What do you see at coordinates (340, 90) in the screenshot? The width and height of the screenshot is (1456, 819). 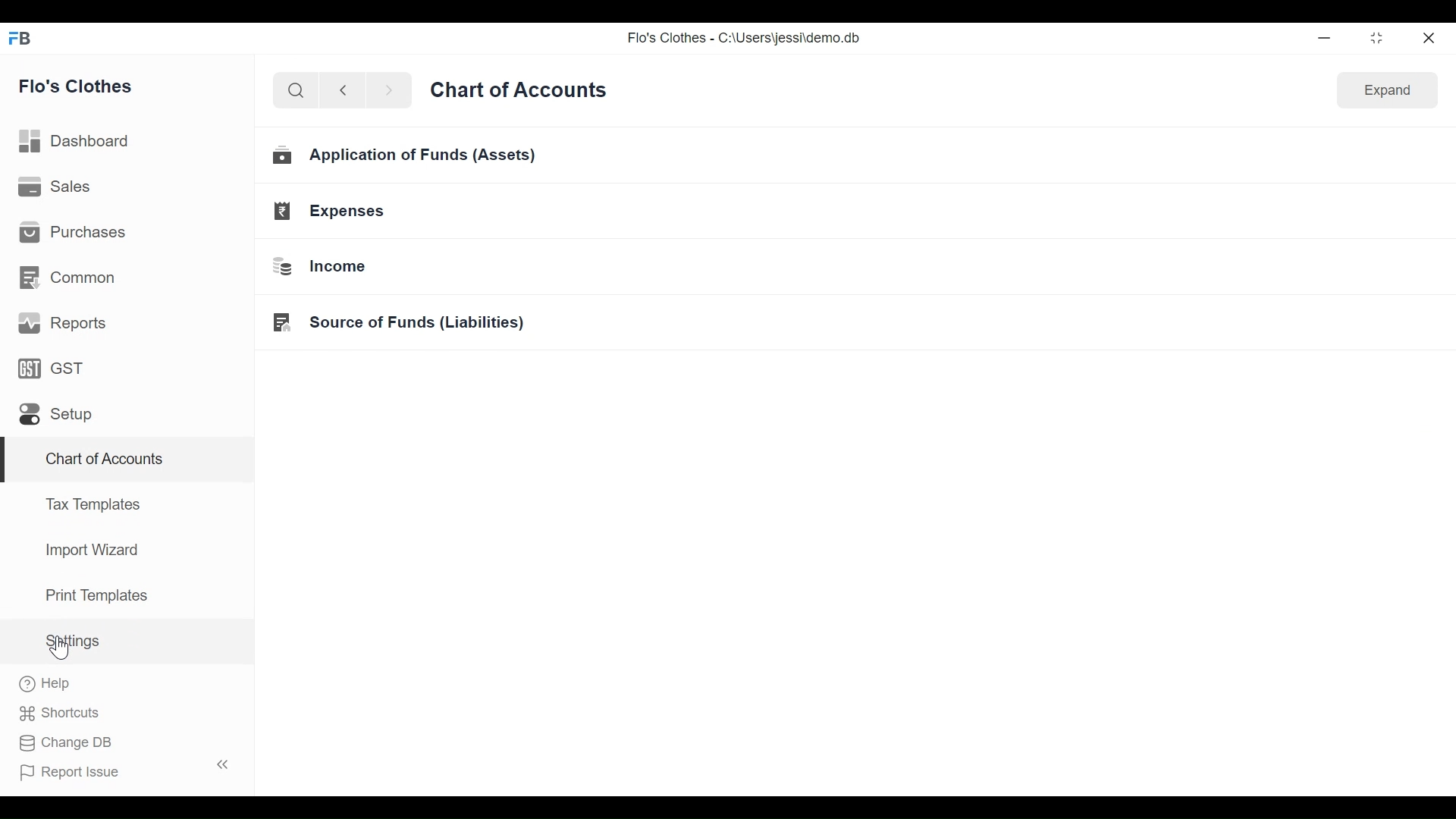 I see `Navigate back` at bounding box center [340, 90].